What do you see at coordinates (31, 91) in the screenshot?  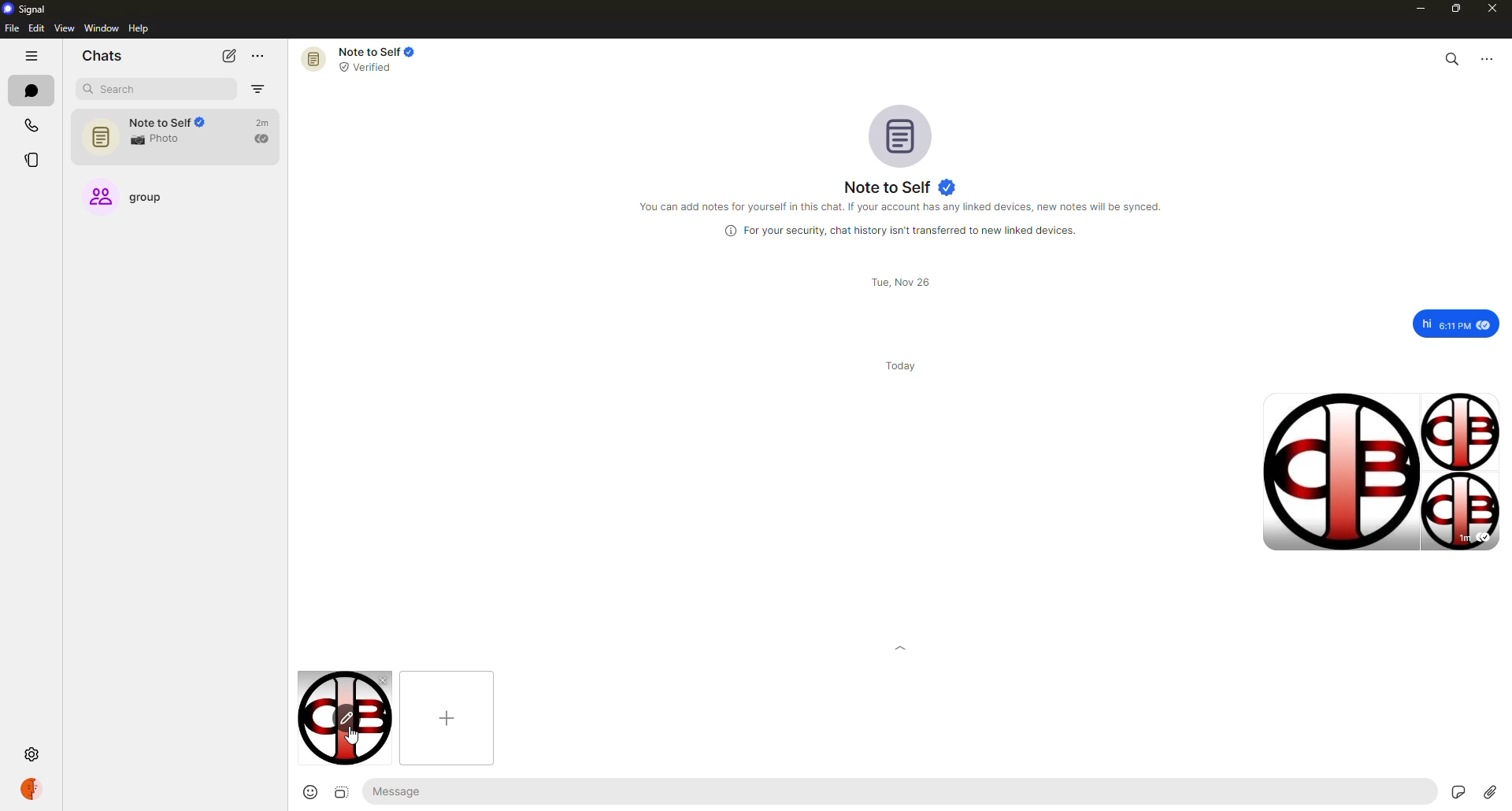 I see `chats` at bounding box center [31, 91].